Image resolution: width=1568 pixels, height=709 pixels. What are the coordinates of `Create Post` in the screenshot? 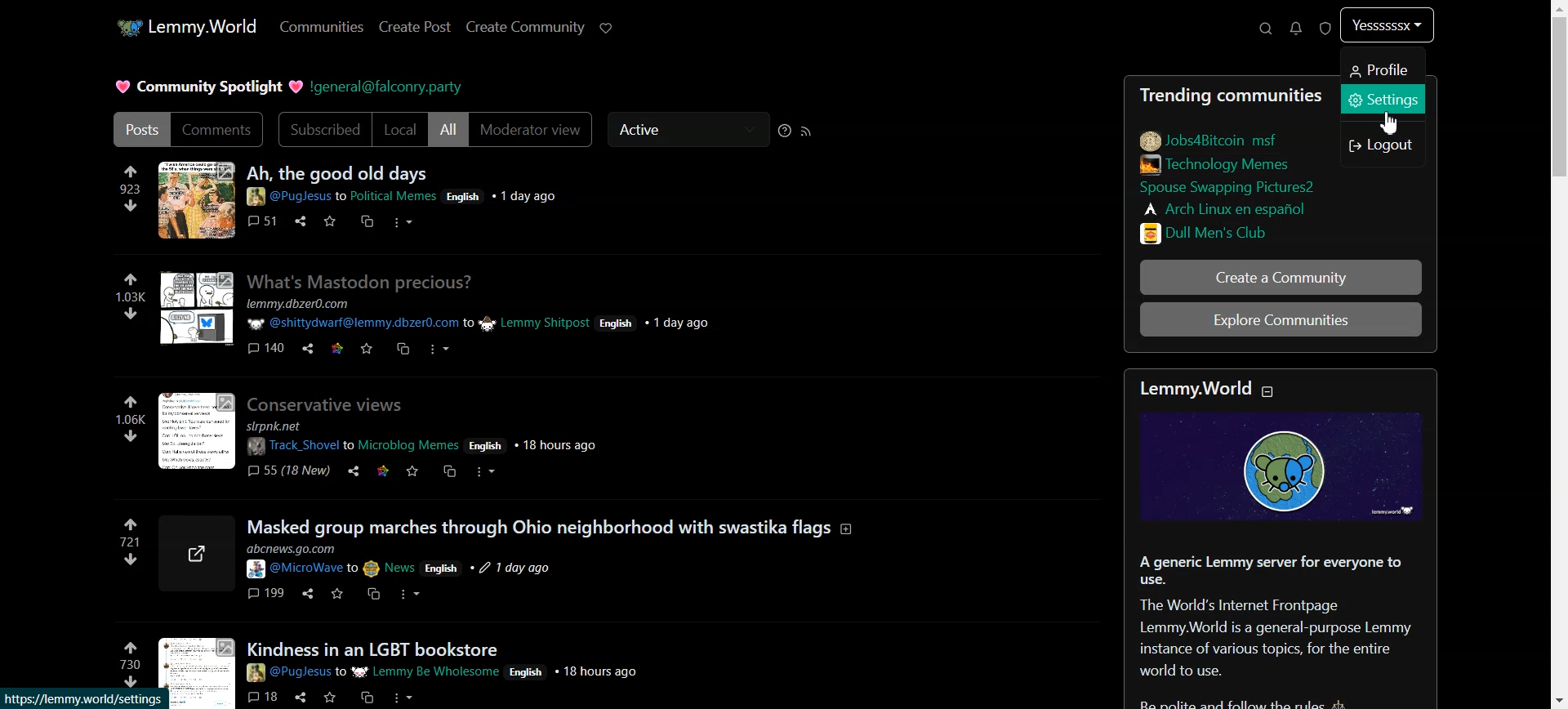 It's located at (415, 28).